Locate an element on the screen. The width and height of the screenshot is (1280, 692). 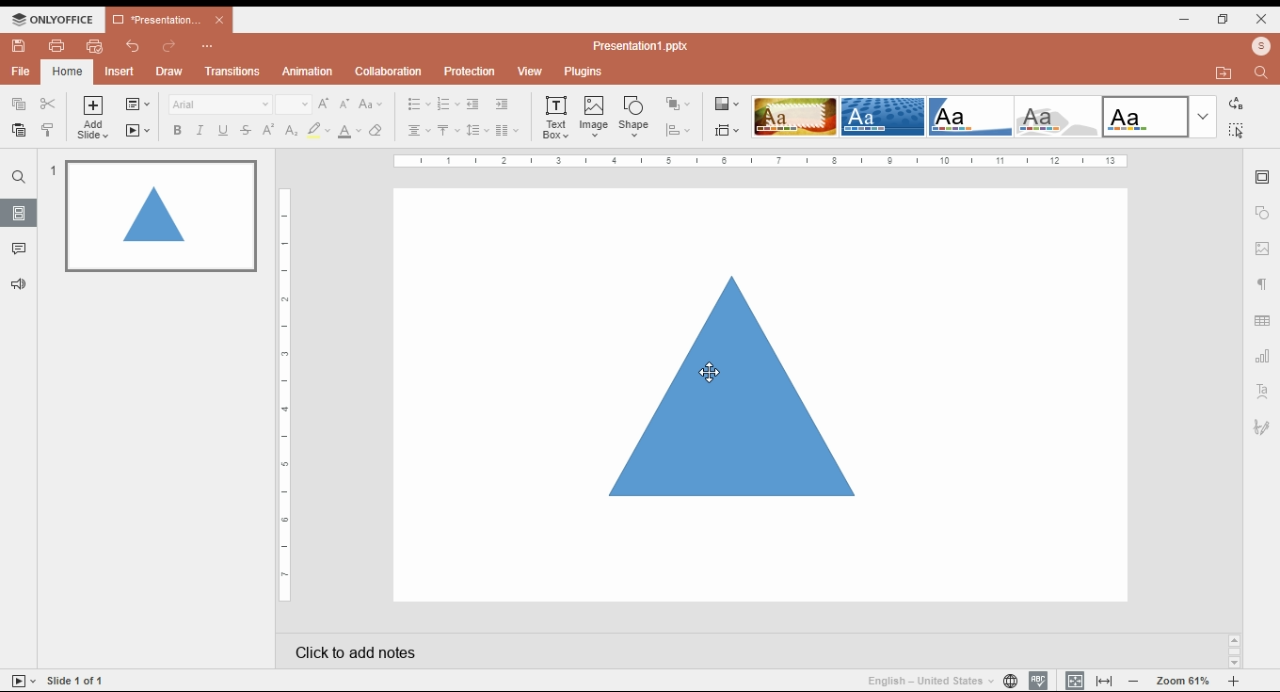
icon and menu button is located at coordinates (52, 19).